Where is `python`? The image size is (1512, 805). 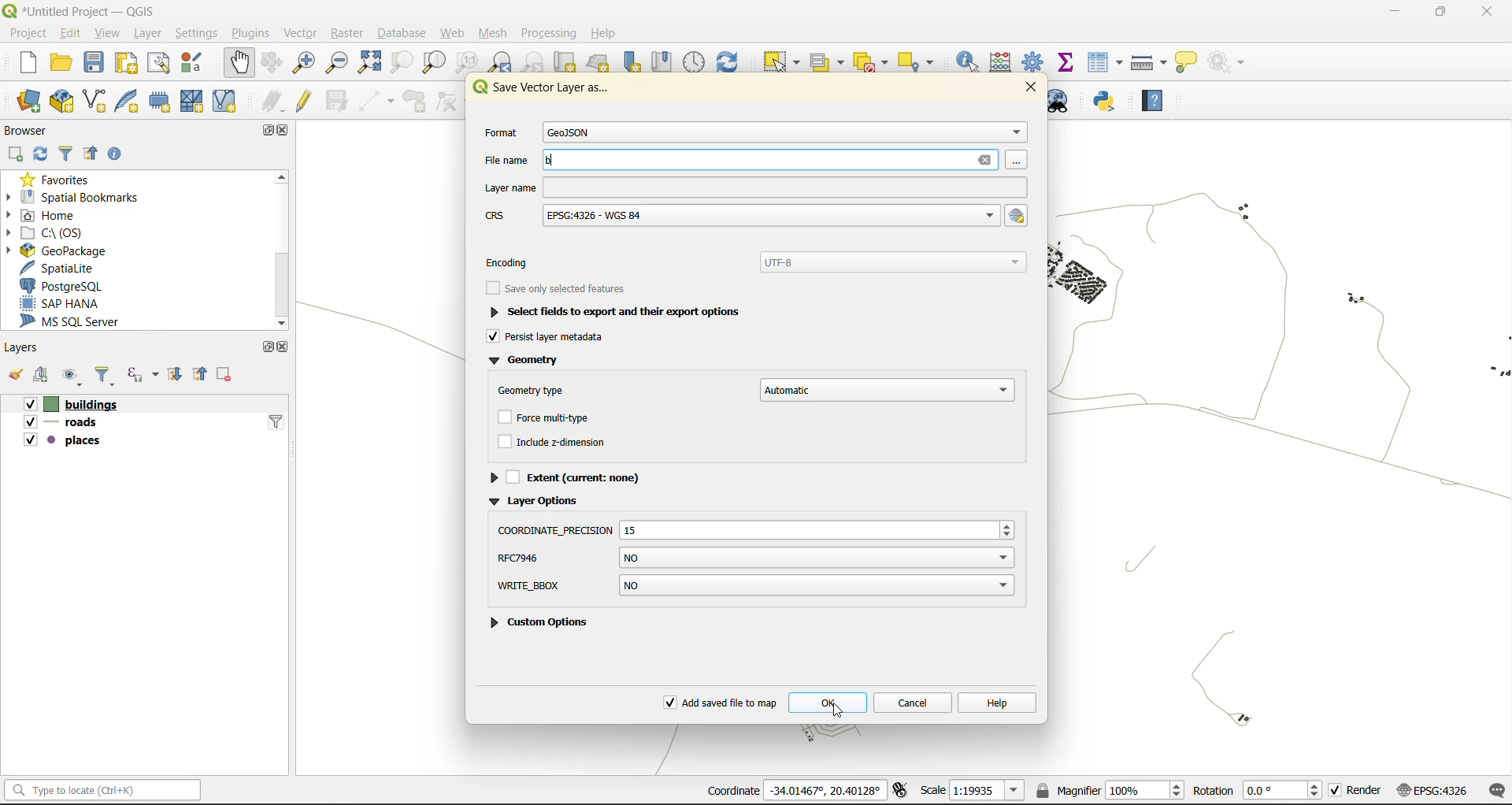
python is located at coordinates (1109, 101).